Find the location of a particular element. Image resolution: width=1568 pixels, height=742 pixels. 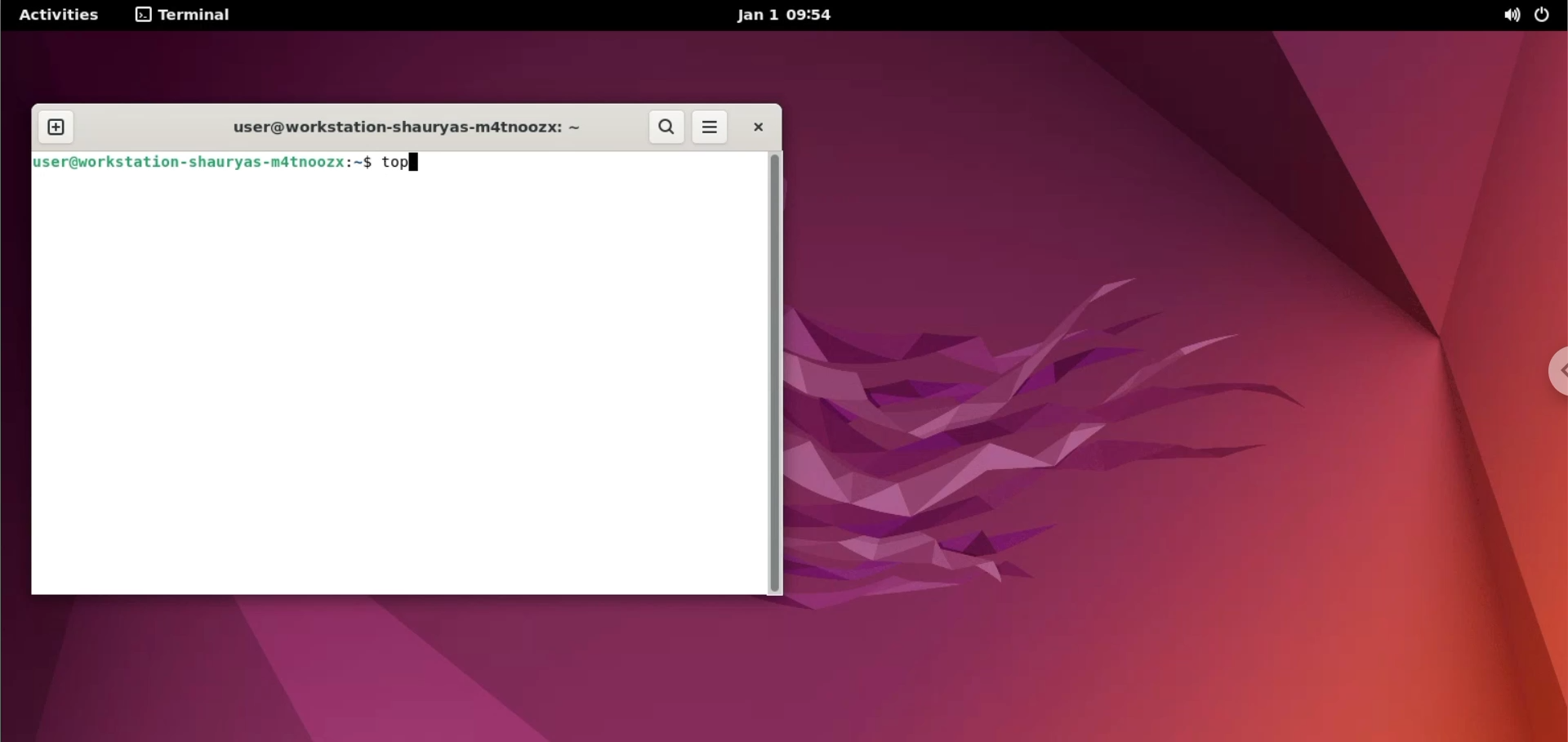

top is located at coordinates (403, 163).